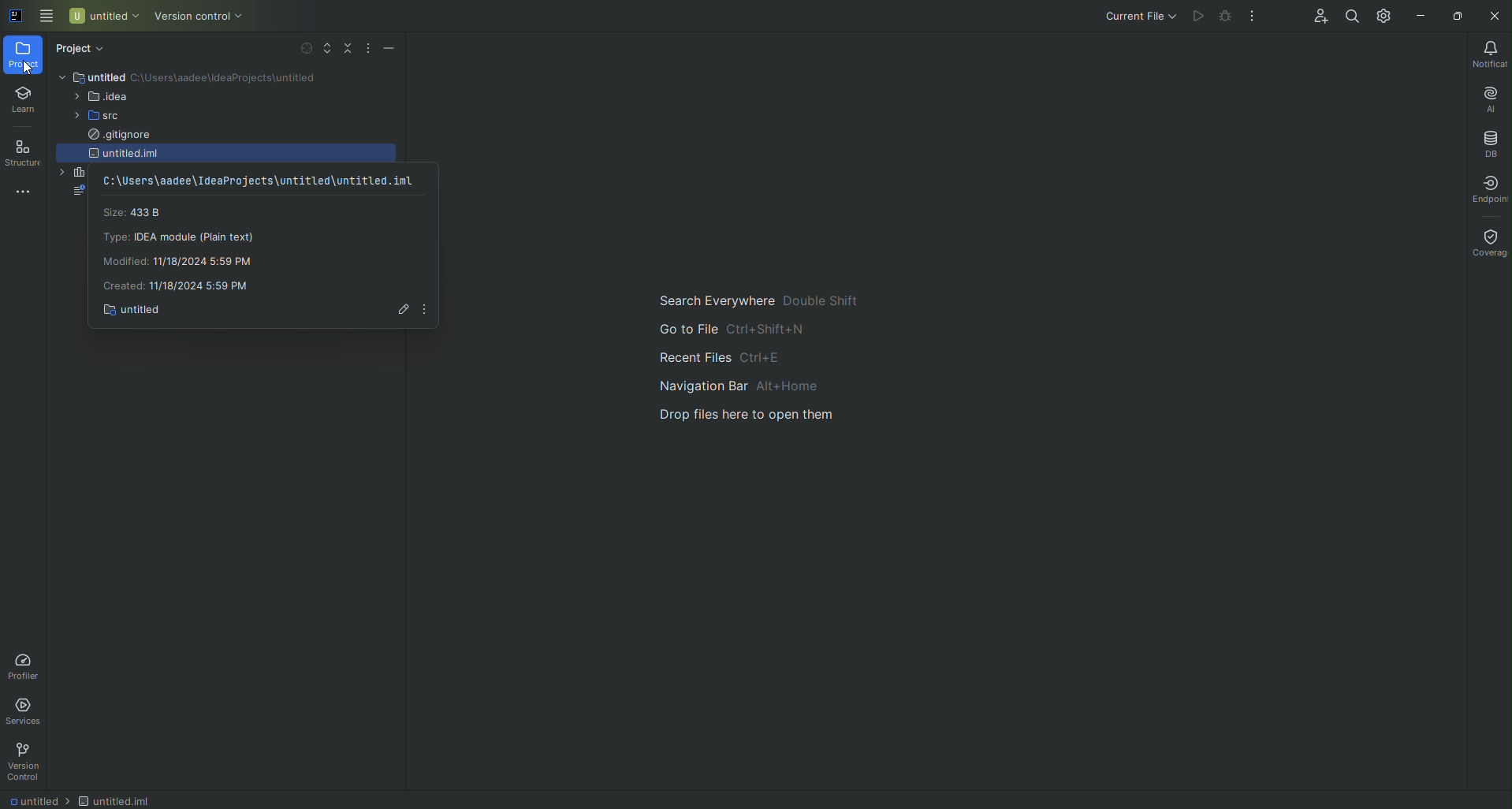 This screenshot has height=809, width=1512. I want to click on idea, so click(98, 101).